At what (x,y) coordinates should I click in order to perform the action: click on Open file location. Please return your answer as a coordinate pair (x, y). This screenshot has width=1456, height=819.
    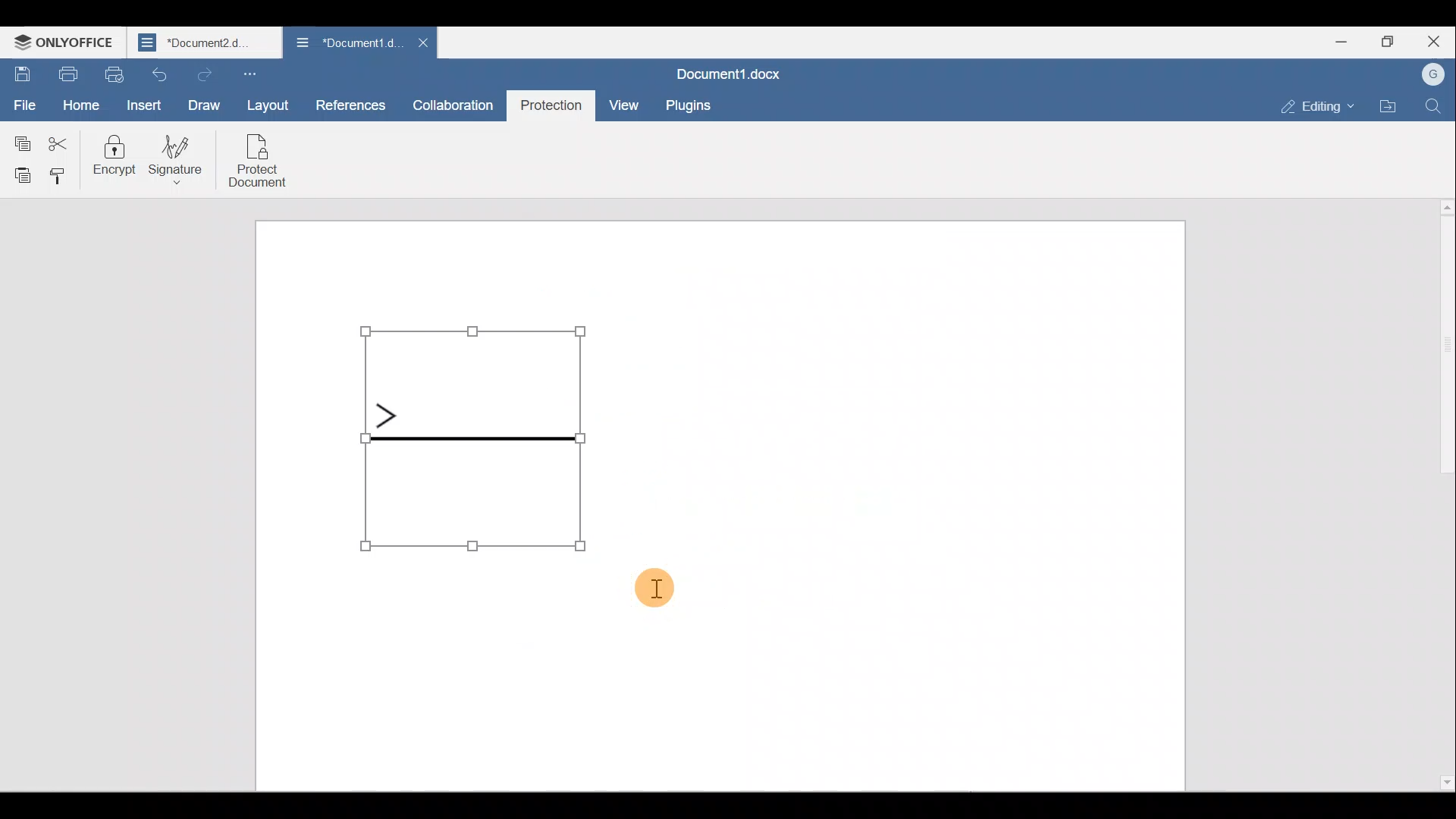
    Looking at the image, I should click on (1392, 105).